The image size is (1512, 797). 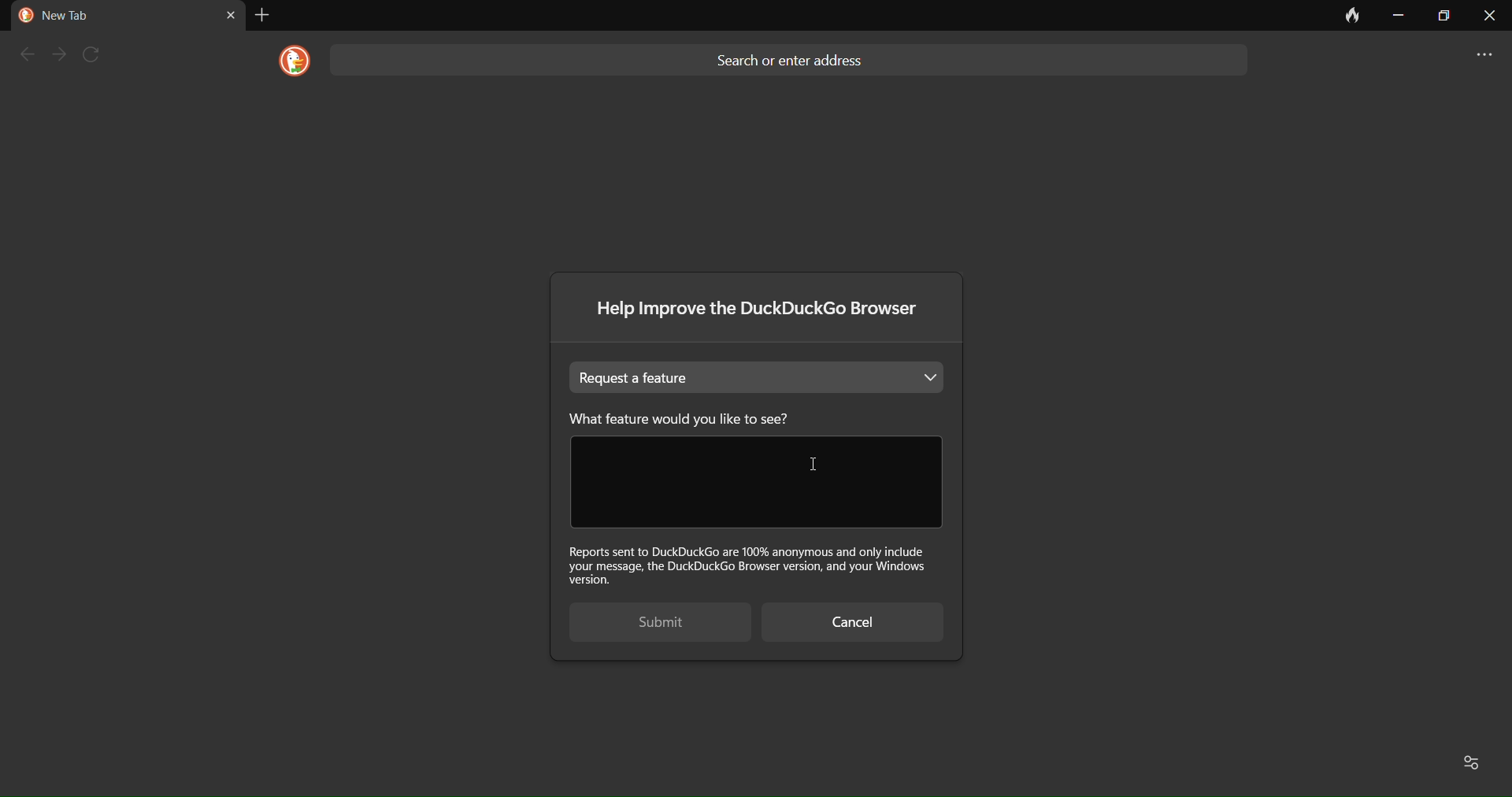 What do you see at coordinates (61, 54) in the screenshot?
I see `next` at bounding box center [61, 54].